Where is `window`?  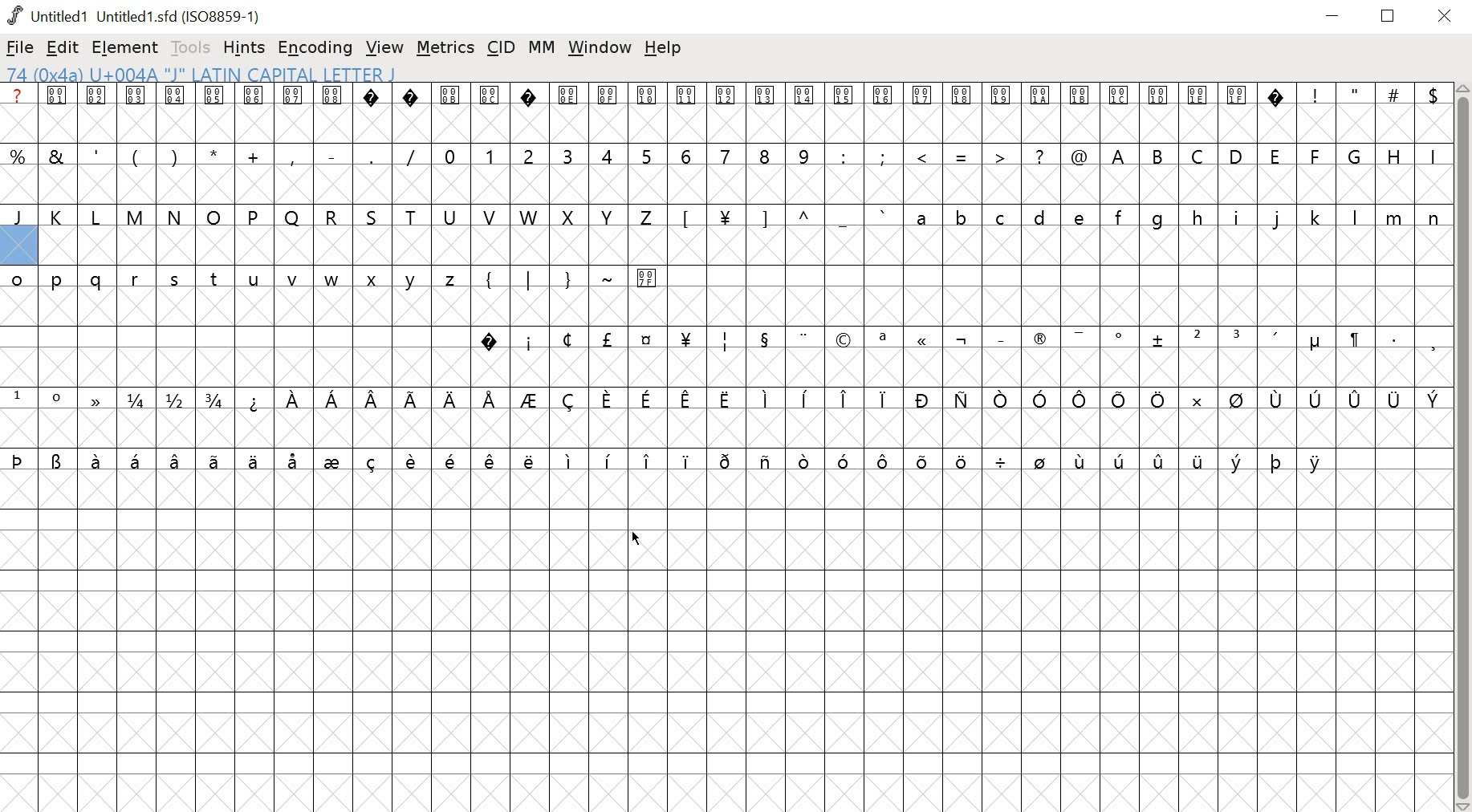
window is located at coordinates (600, 48).